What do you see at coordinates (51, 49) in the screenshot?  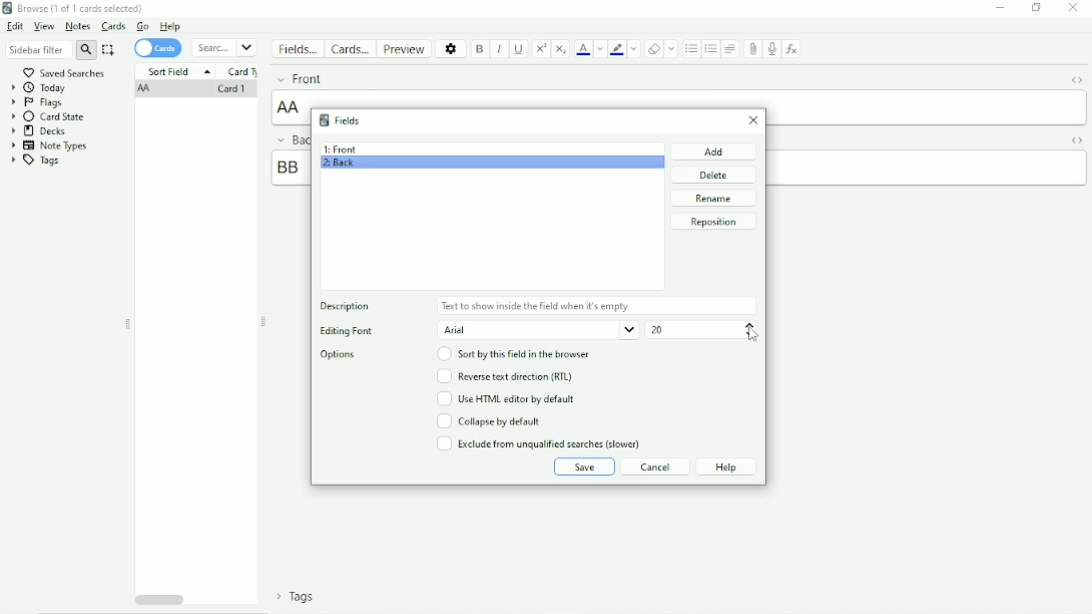 I see `Sidebar filter` at bounding box center [51, 49].